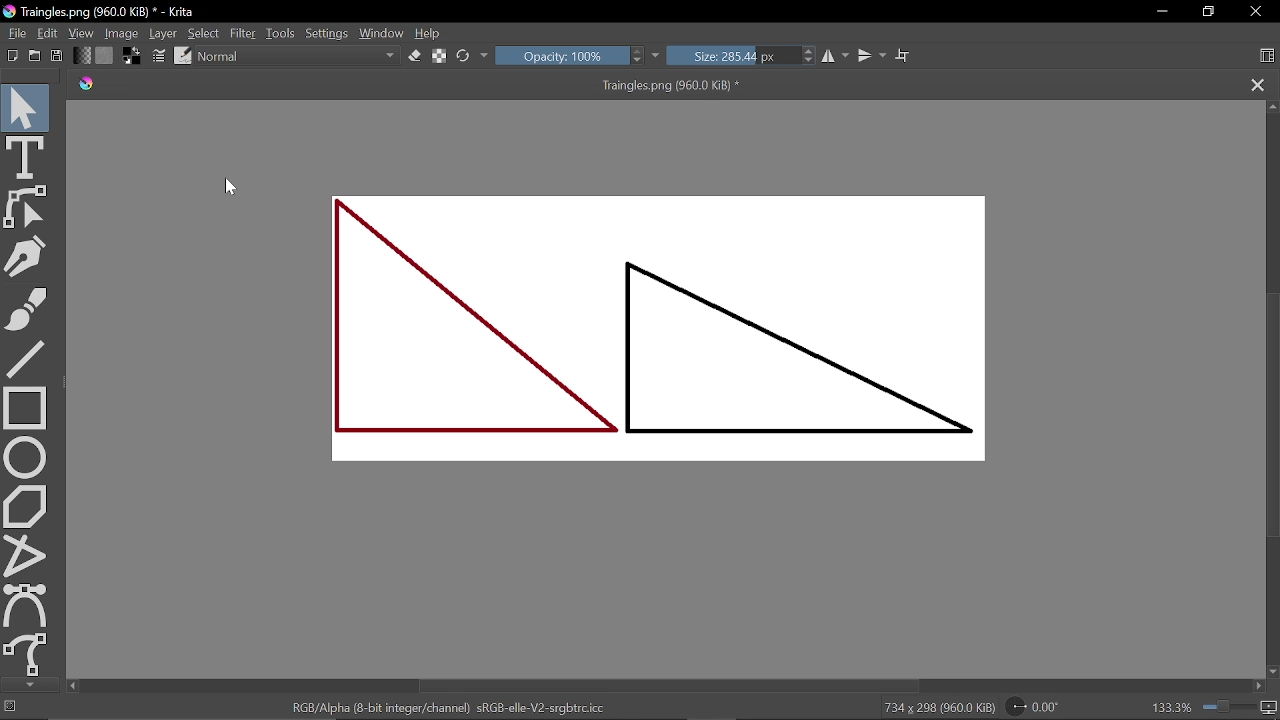 This screenshot has height=720, width=1280. Describe the element at coordinates (74, 685) in the screenshot. I see `Move left` at that location.